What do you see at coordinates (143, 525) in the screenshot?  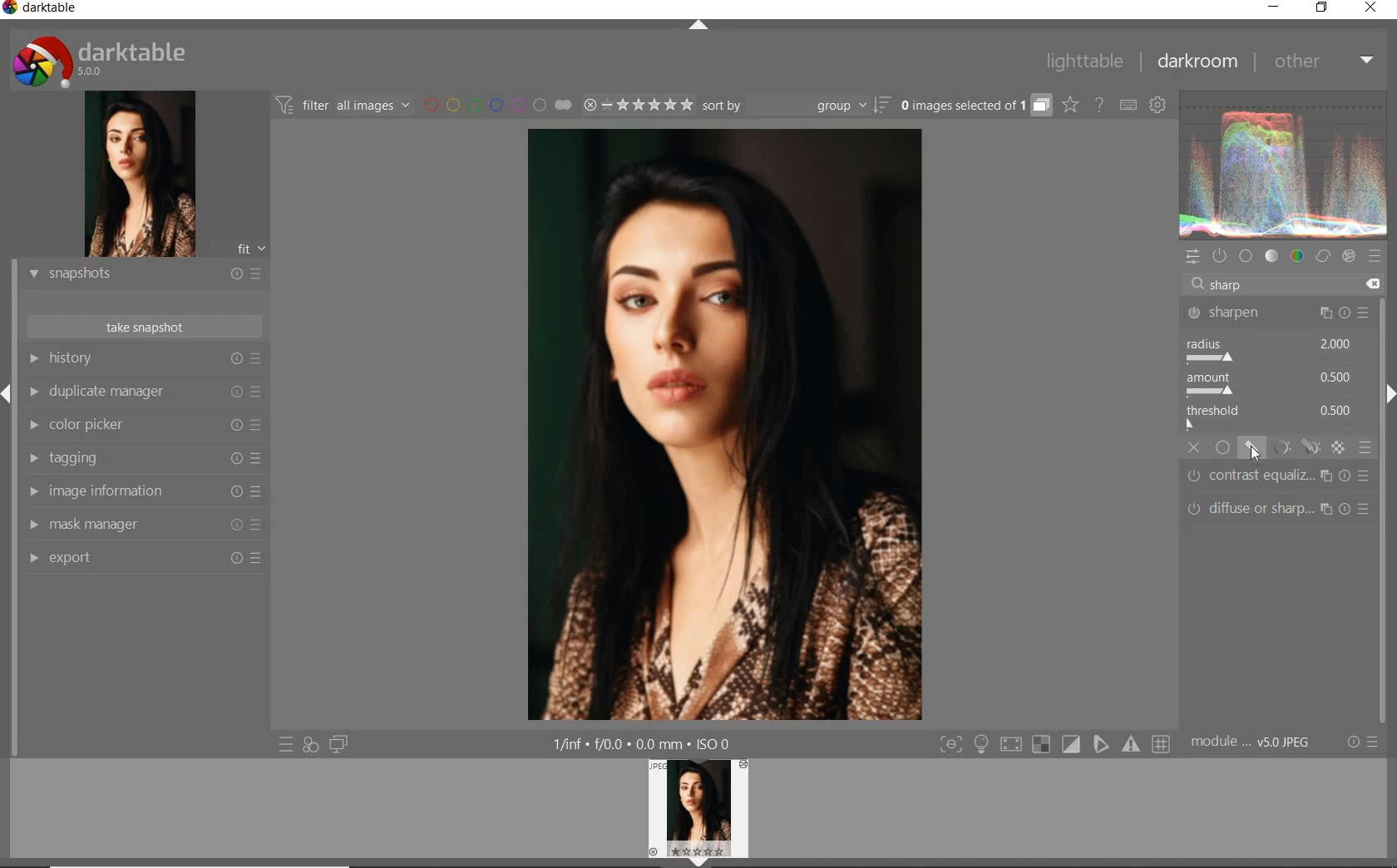 I see `mask manager` at bounding box center [143, 525].